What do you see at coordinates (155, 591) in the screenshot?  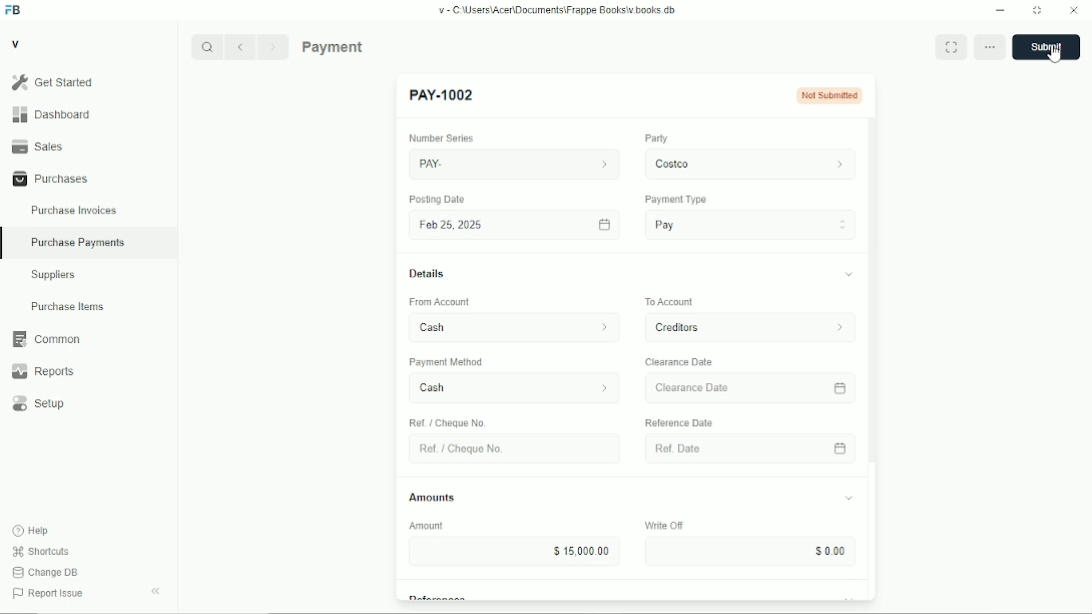 I see `Collapse` at bounding box center [155, 591].